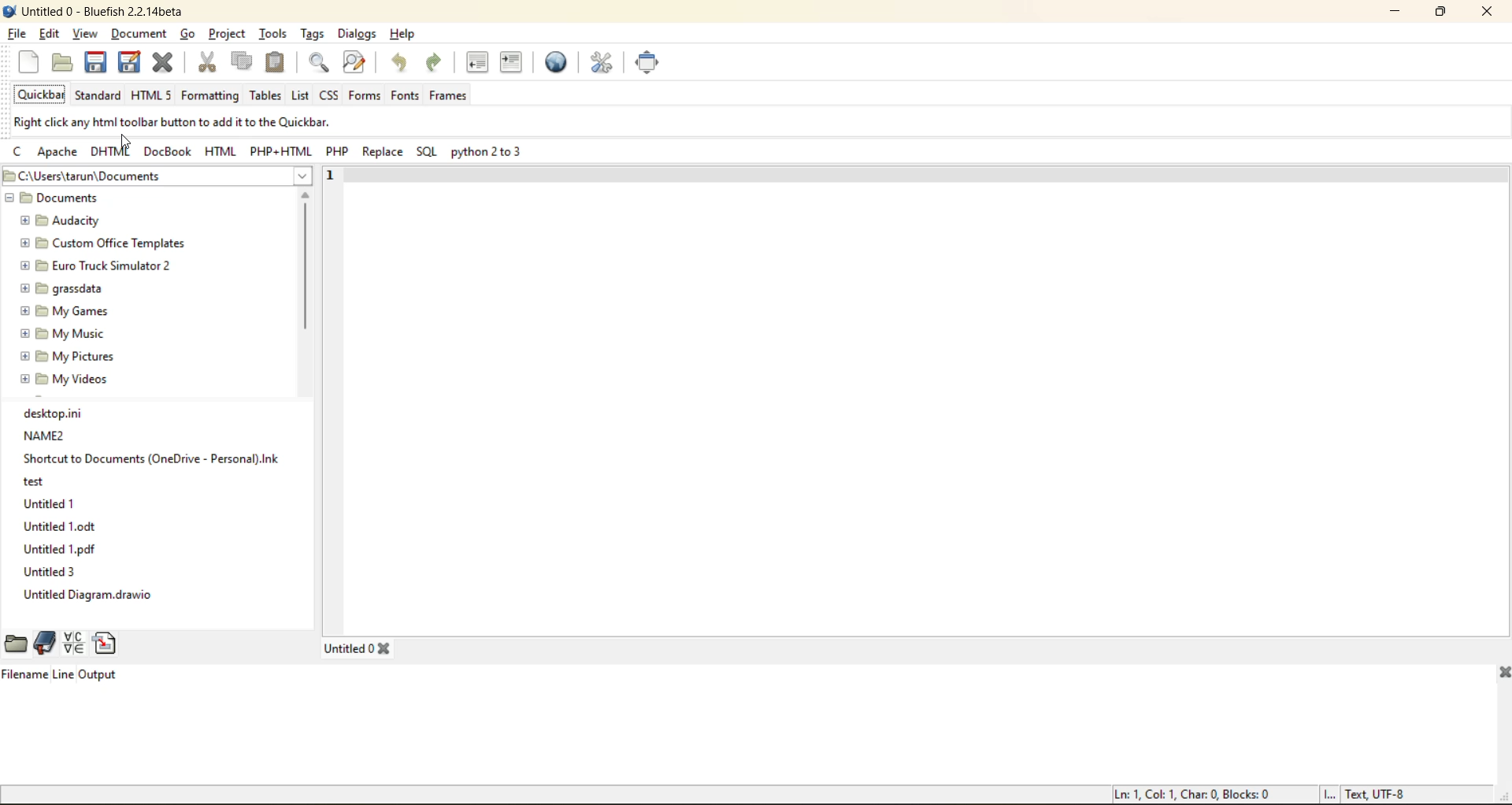 The height and width of the screenshot is (805, 1512). What do you see at coordinates (108, 638) in the screenshot?
I see `snippets` at bounding box center [108, 638].